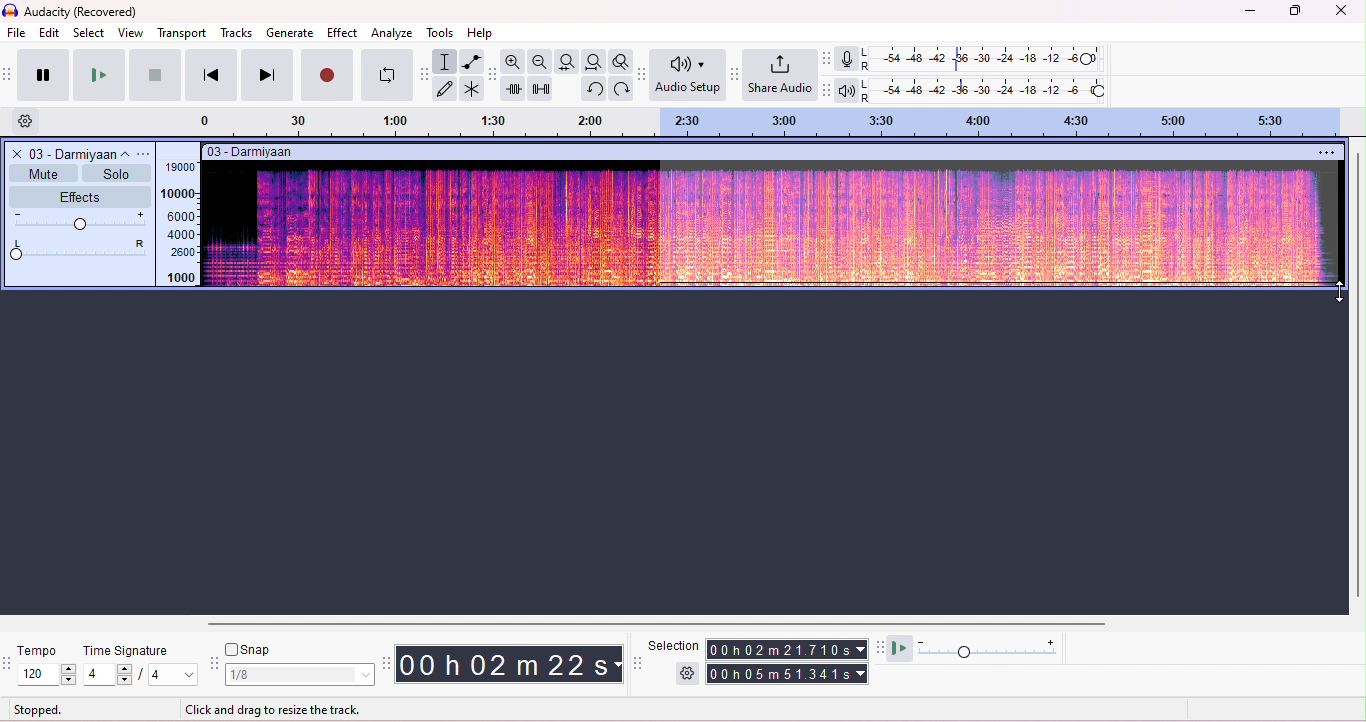 The height and width of the screenshot is (722, 1366). I want to click on zoom toggle, so click(618, 61).